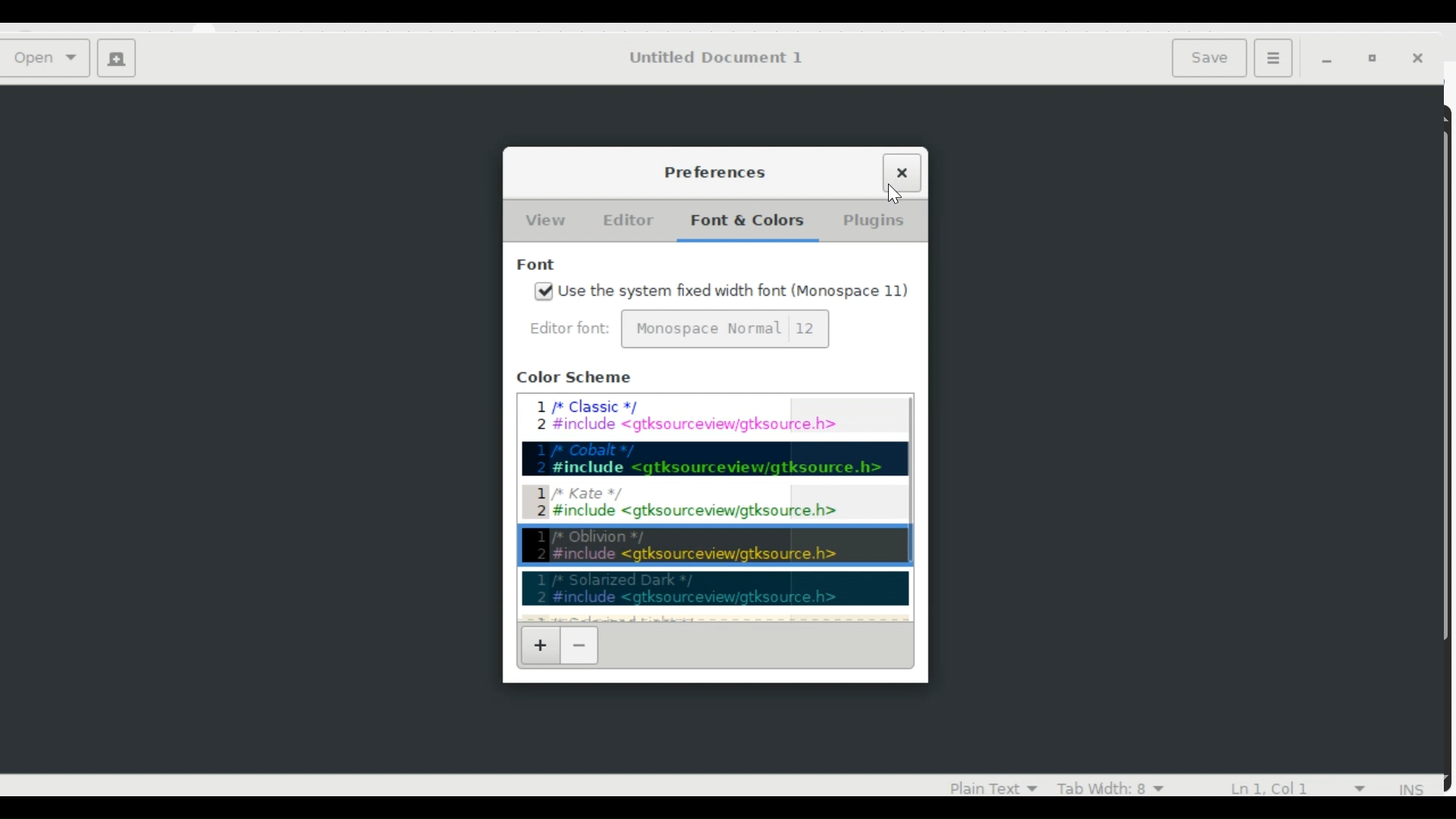 The image size is (1456, 819). What do you see at coordinates (895, 195) in the screenshot?
I see `cursor` at bounding box center [895, 195].